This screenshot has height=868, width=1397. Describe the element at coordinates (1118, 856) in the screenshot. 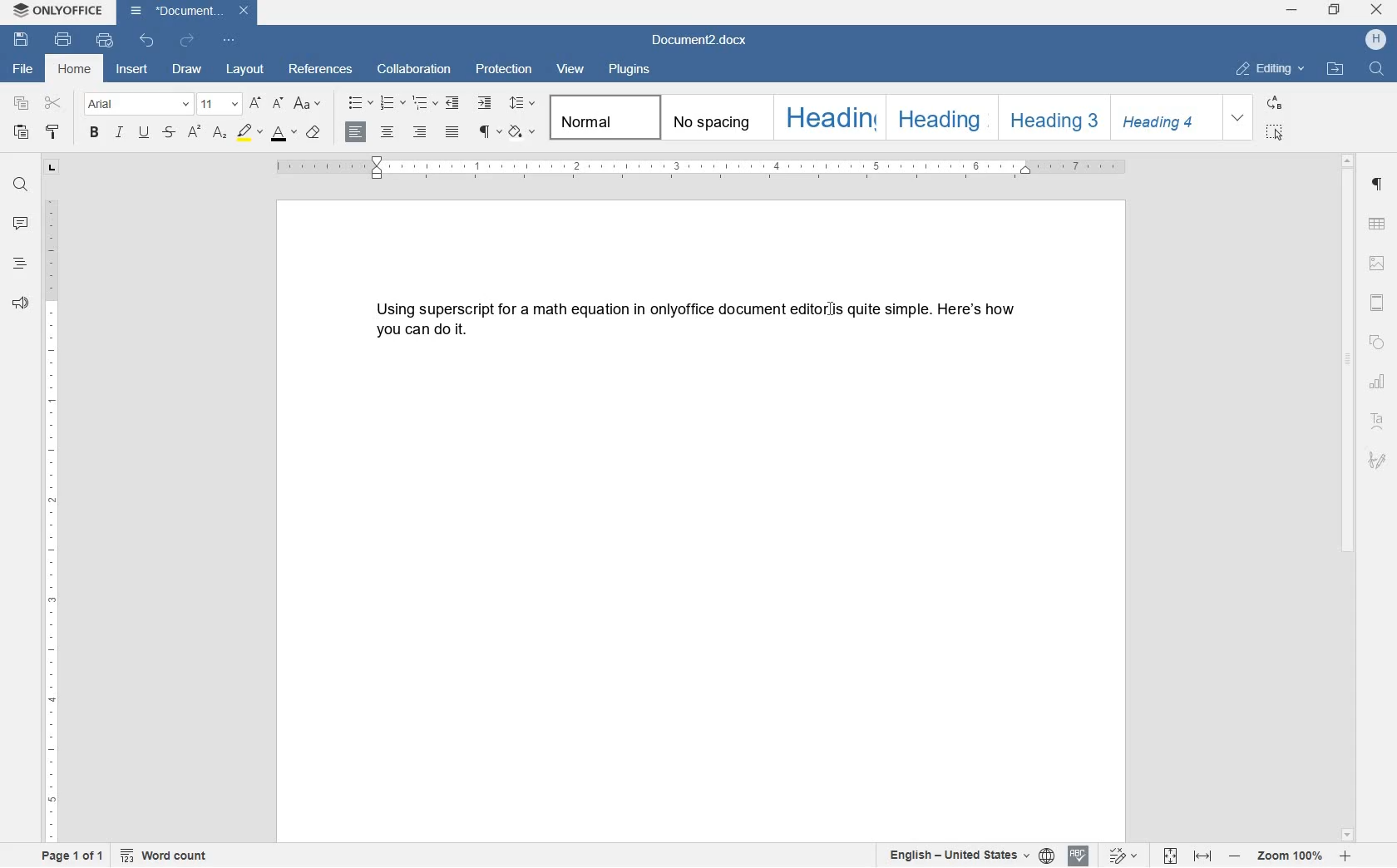

I see `track changes` at that location.